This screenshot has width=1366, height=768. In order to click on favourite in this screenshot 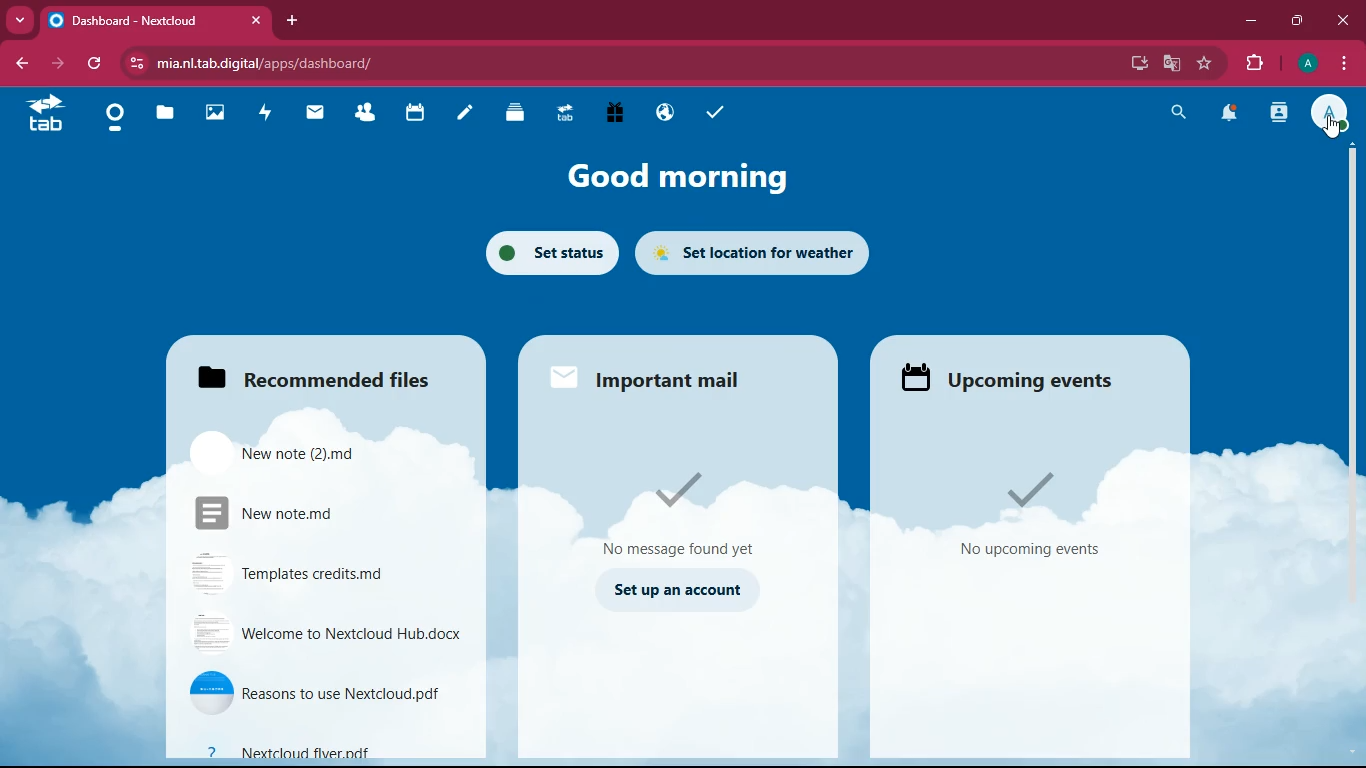, I will do `click(1209, 63)`.